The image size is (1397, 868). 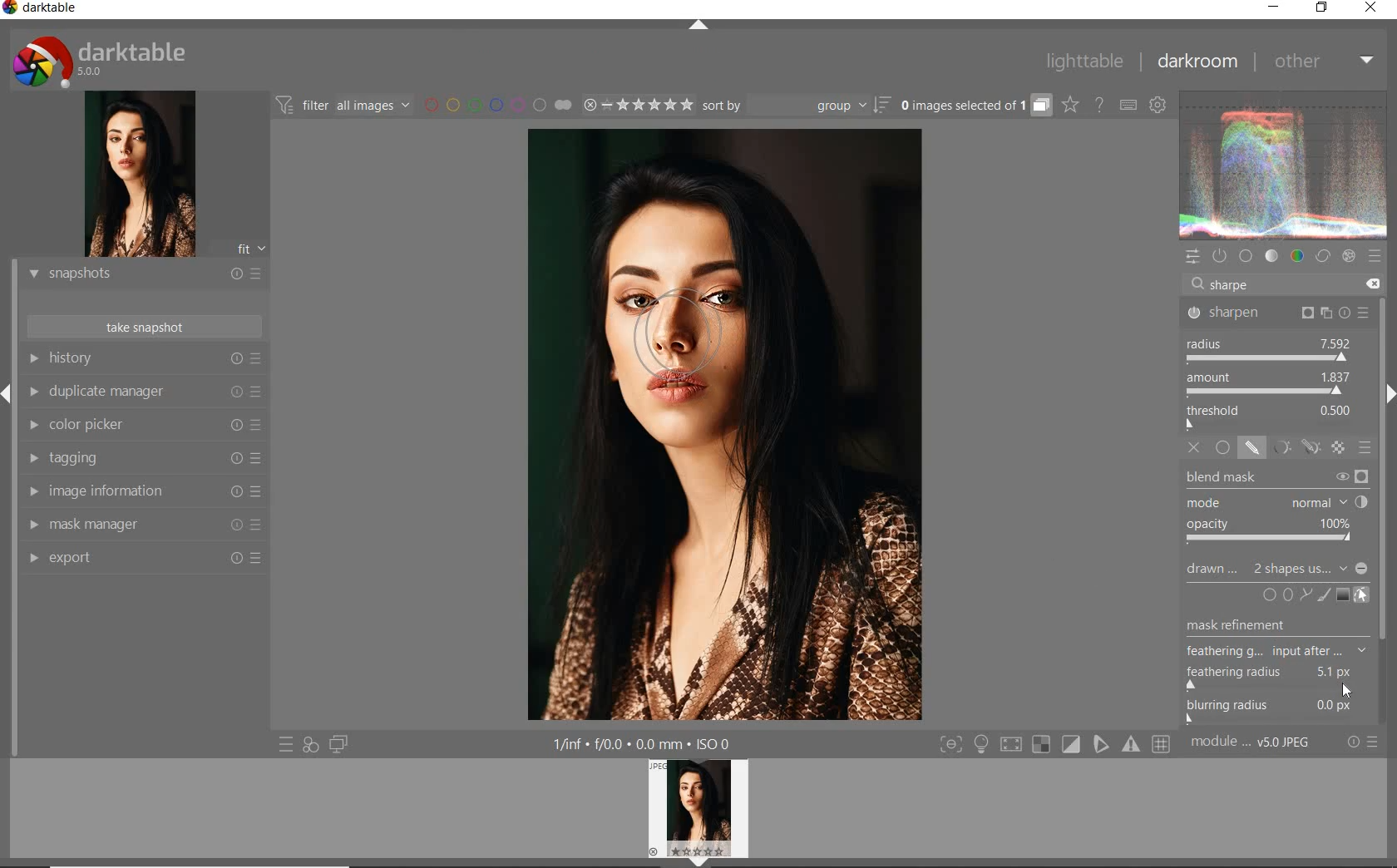 What do you see at coordinates (1275, 531) in the screenshot?
I see `OPACITY` at bounding box center [1275, 531].